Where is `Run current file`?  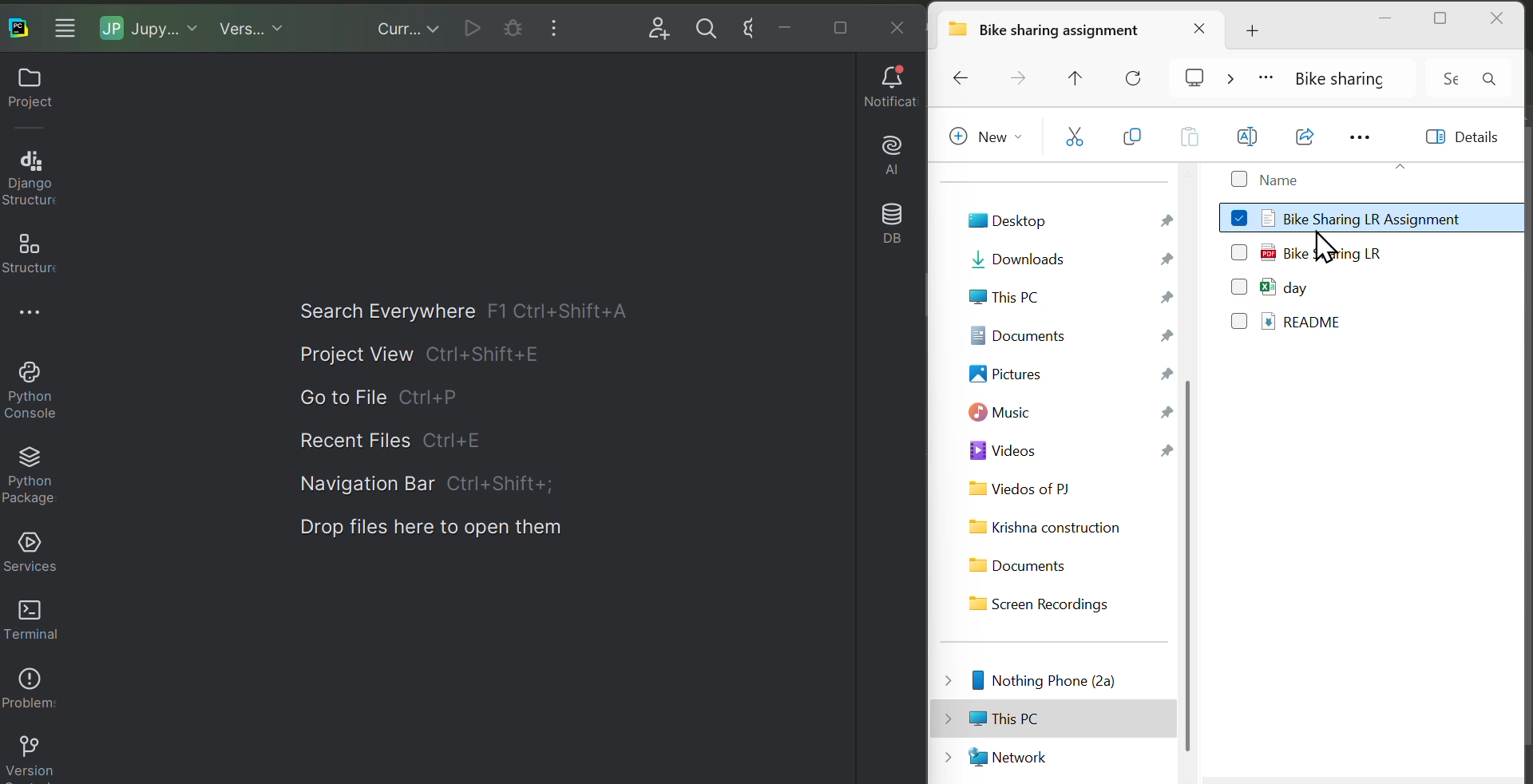
Run current file is located at coordinates (472, 25).